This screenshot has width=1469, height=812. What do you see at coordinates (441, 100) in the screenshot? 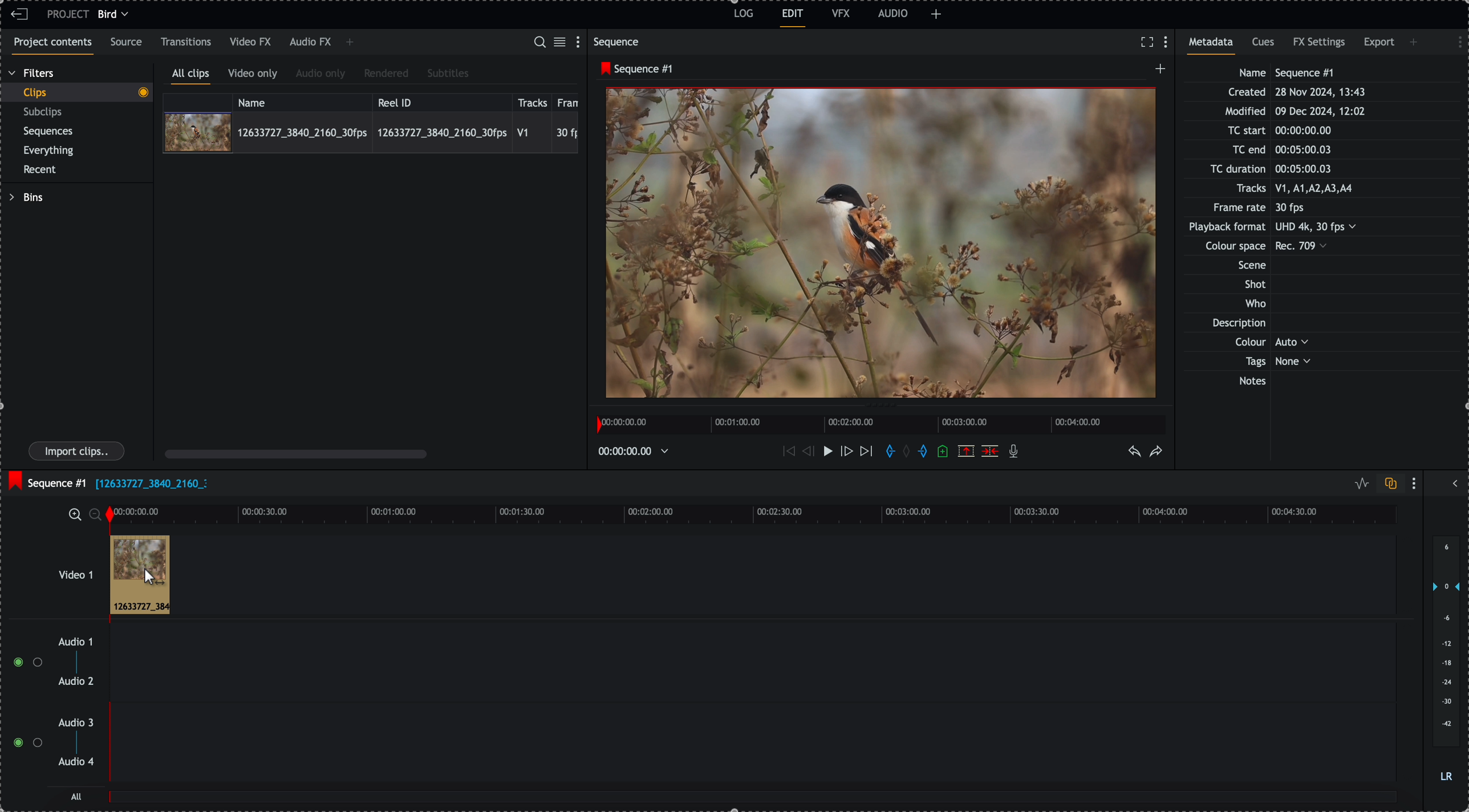
I see `reel ID` at bounding box center [441, 100].